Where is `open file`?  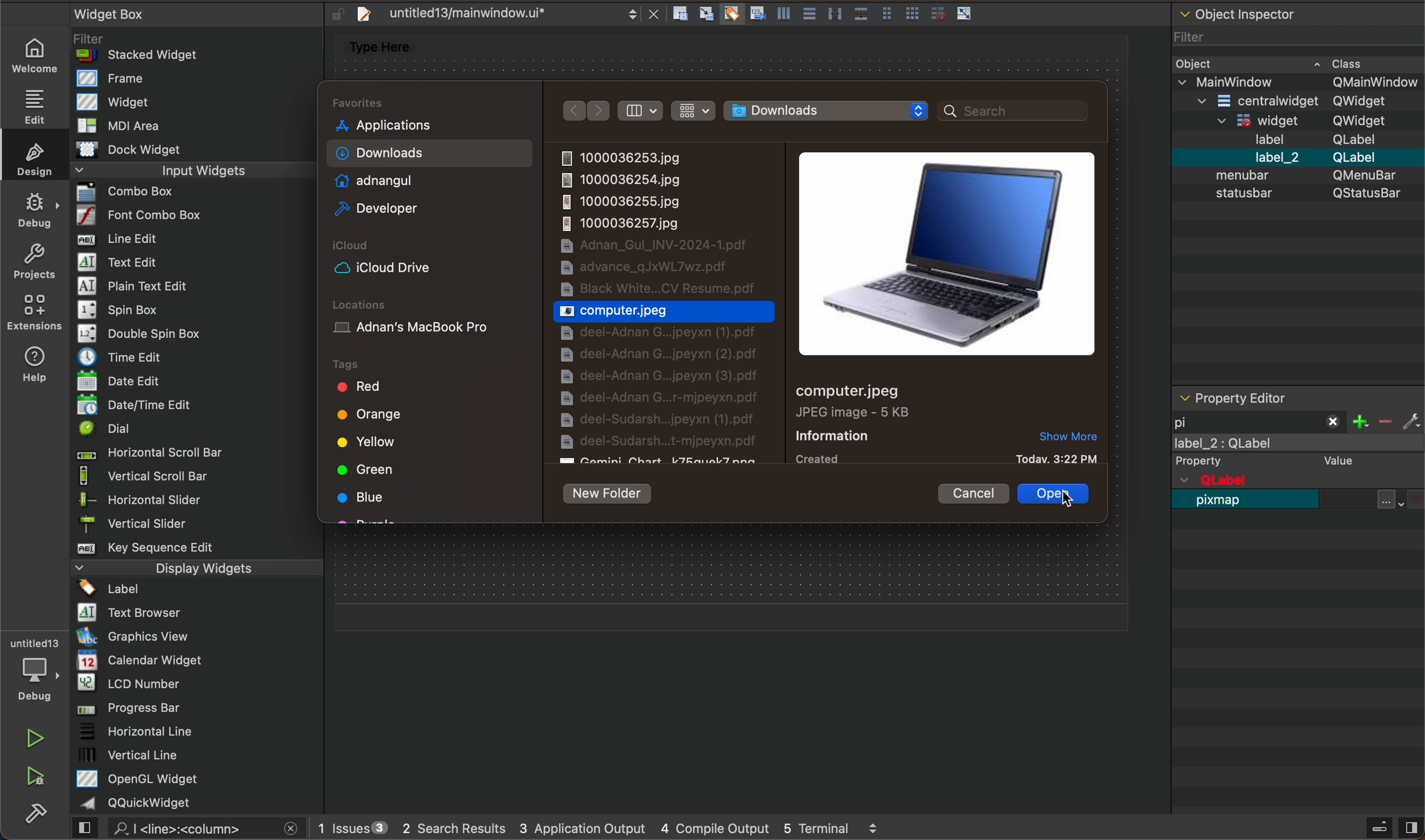
open file is located at coordinates (1054, 494).